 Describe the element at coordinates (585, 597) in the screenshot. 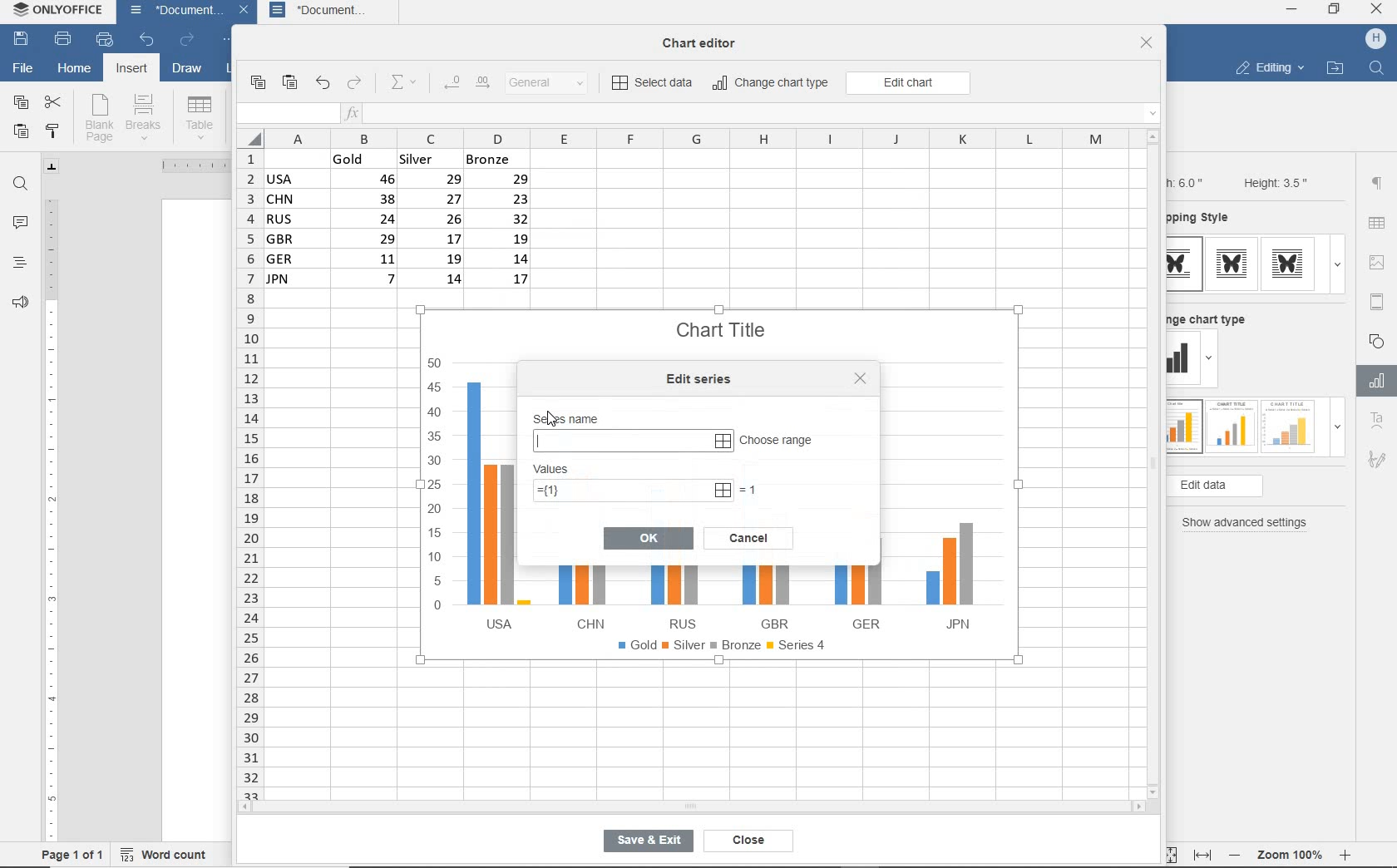

I see `CHN` at that location.